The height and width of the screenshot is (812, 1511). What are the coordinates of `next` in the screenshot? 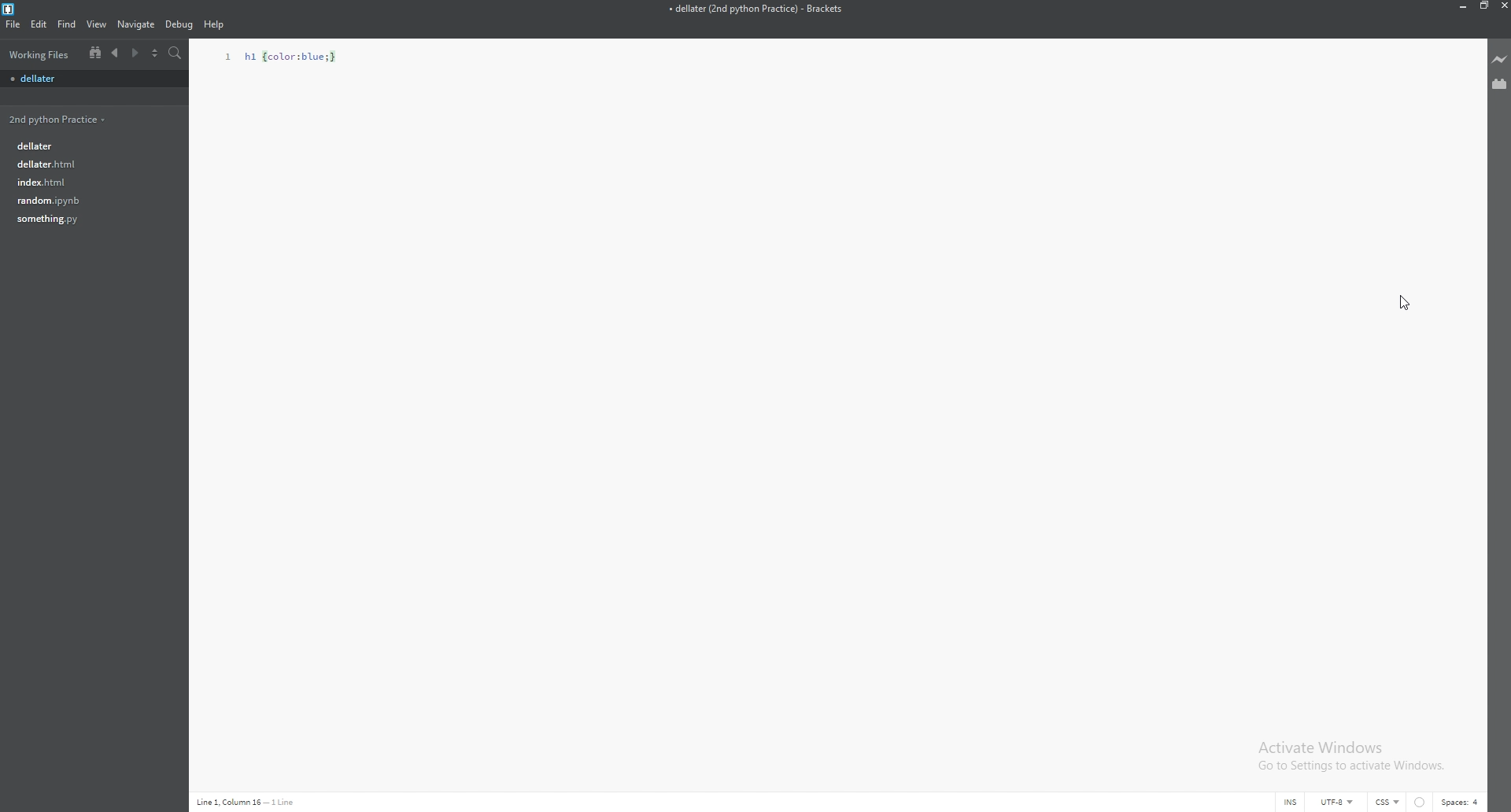 It's located at (134, 54).